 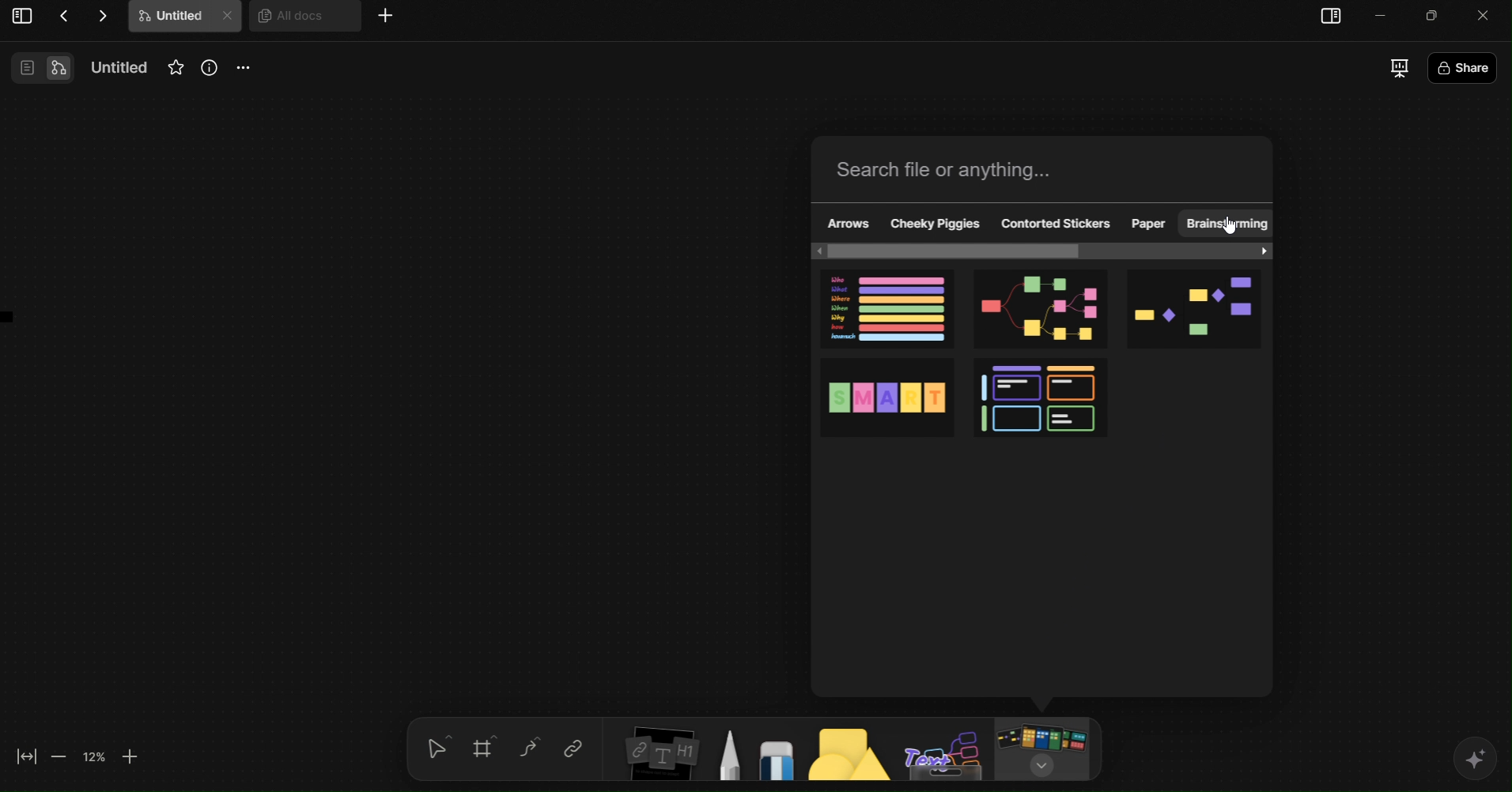 What do you see at coordinates (1223, 223) in the screenshot?
I see `Brainstorming` at bounding box center [1223, 223].